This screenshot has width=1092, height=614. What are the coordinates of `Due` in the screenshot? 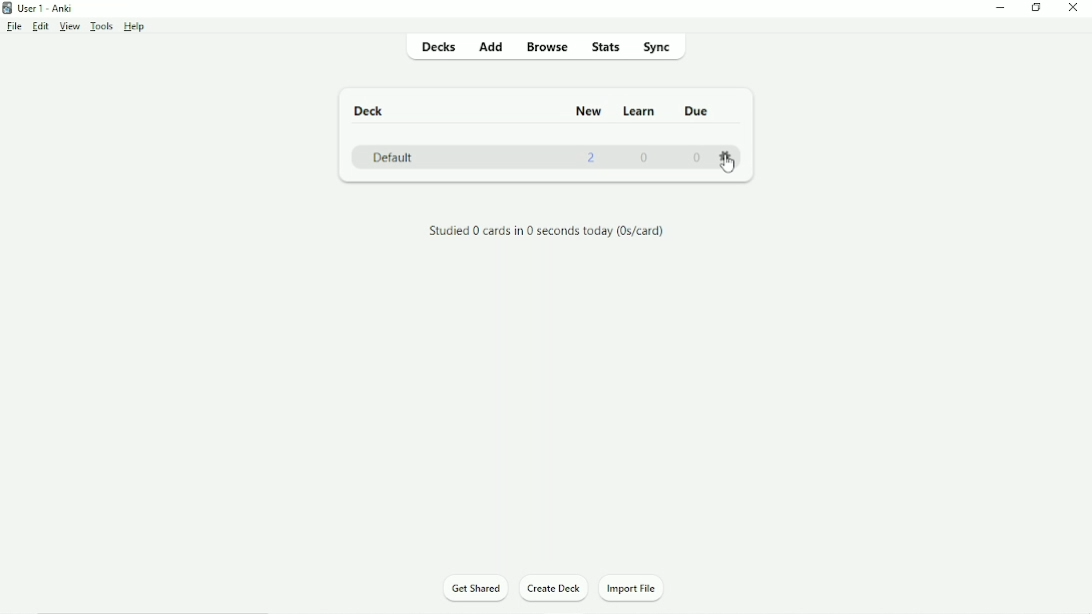 It's located at (699, 110).